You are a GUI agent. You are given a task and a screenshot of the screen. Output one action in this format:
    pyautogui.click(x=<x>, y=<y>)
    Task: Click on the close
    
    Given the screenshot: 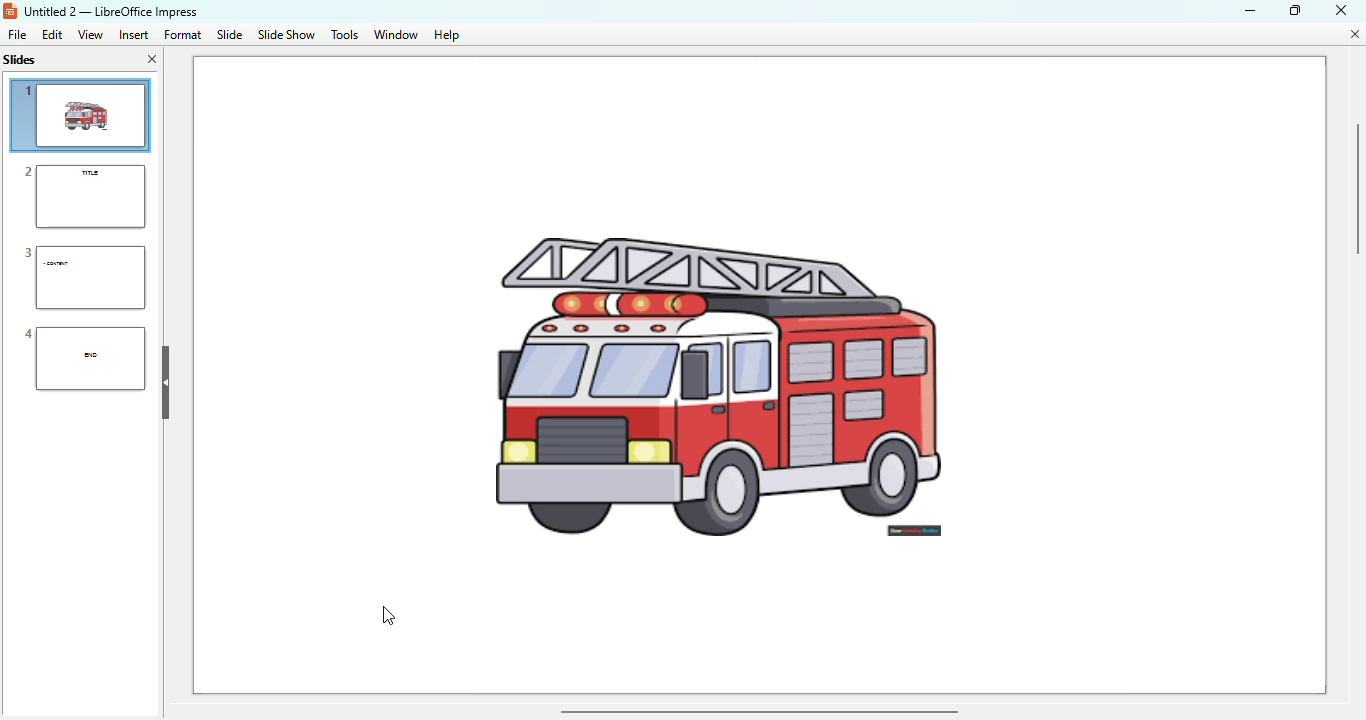 What is the action you would take?
    pyautogui.click(x=1341, y=9)
    